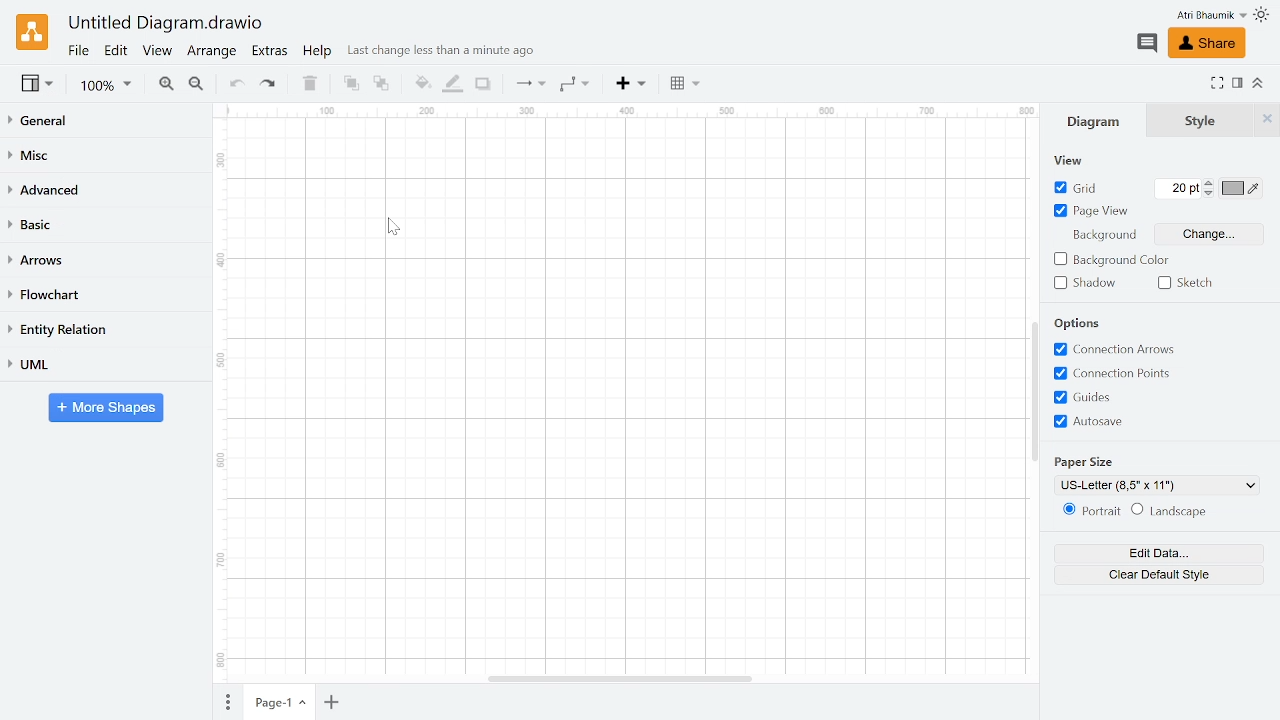  I want to click on Fill line, so click(451, 84).